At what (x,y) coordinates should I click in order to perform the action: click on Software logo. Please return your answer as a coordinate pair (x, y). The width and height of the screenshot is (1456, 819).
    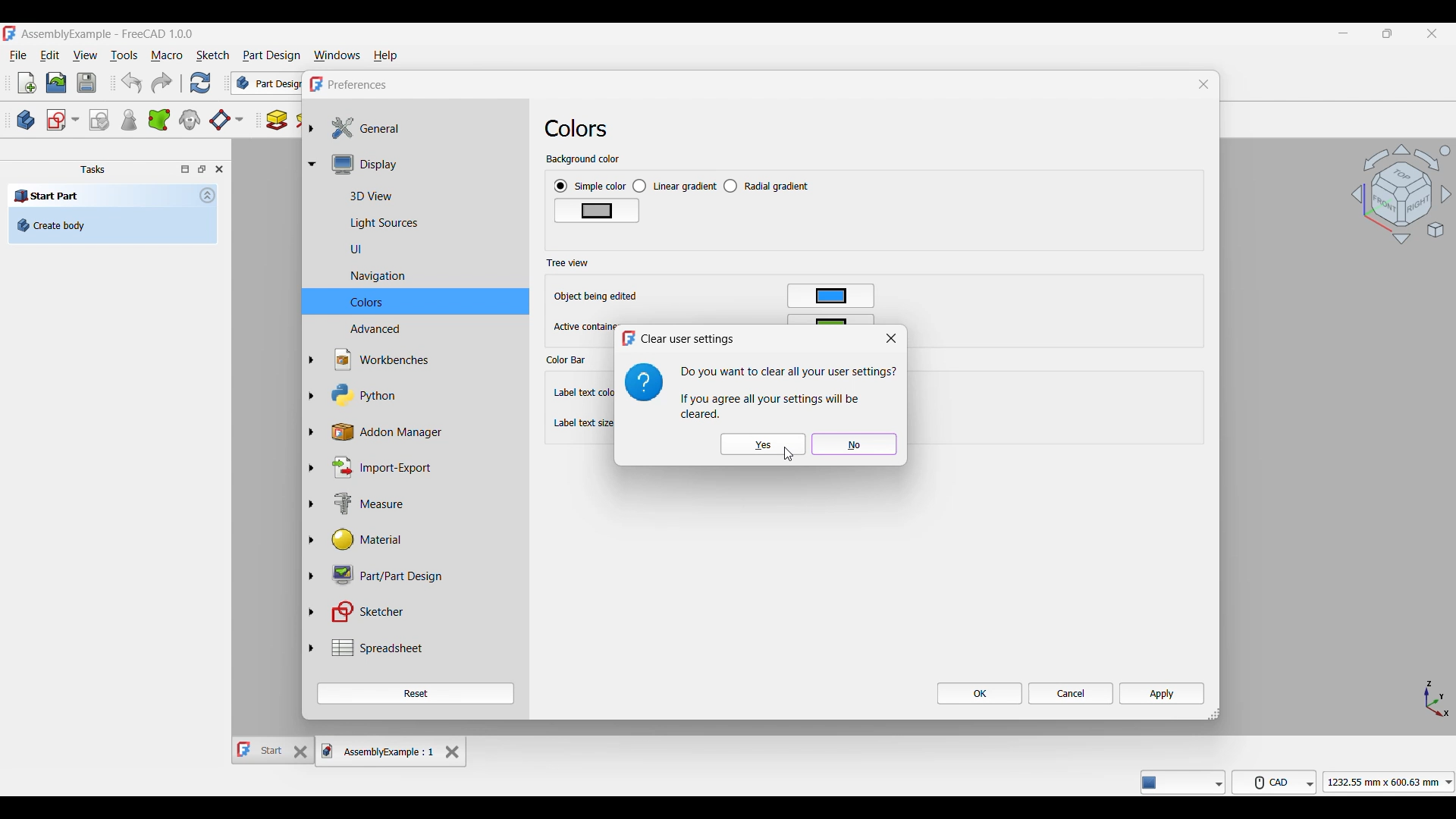
    Looking at the image, I should click on (628, 338).